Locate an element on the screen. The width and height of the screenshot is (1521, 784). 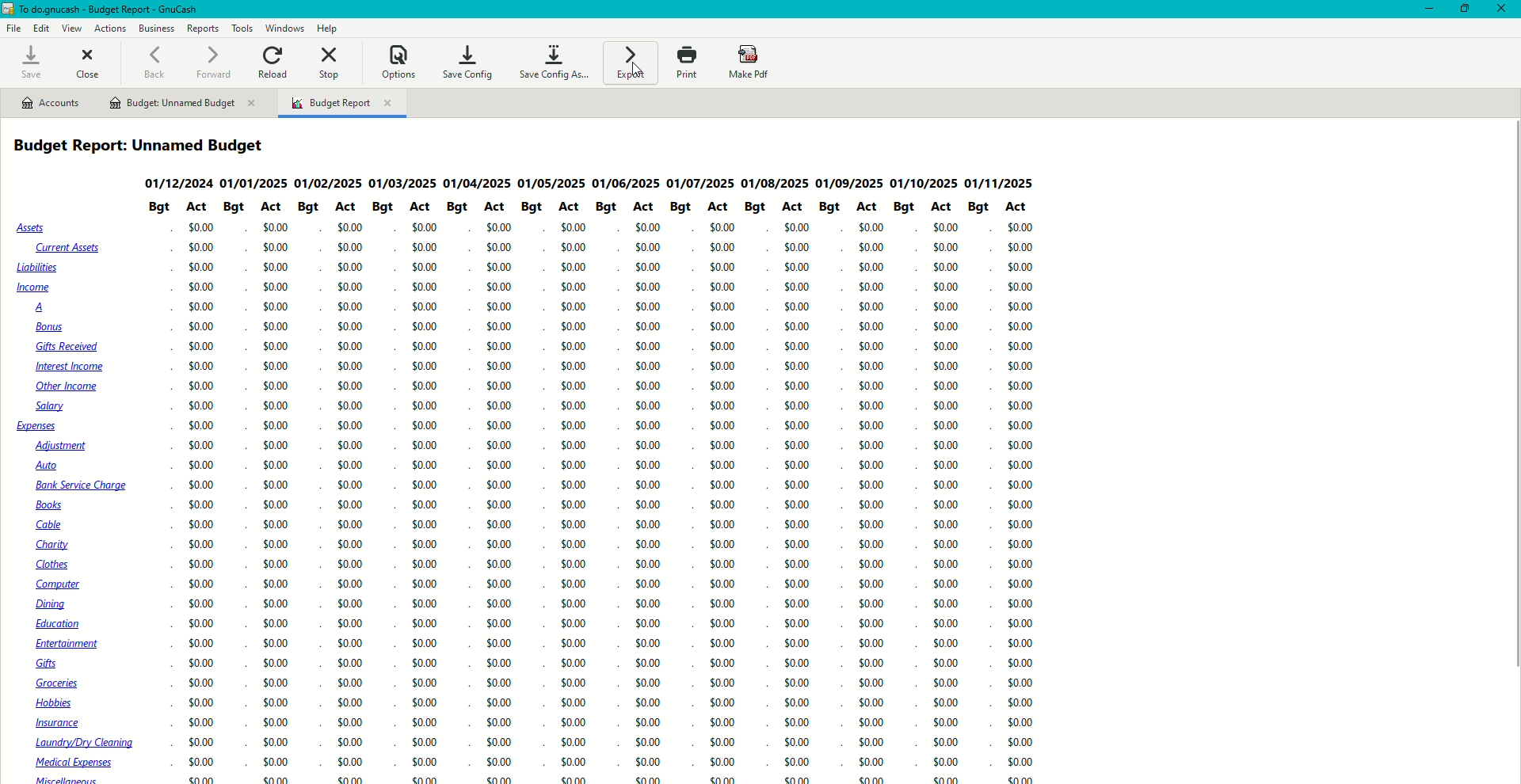
Export is located at coordinates (630, 63).